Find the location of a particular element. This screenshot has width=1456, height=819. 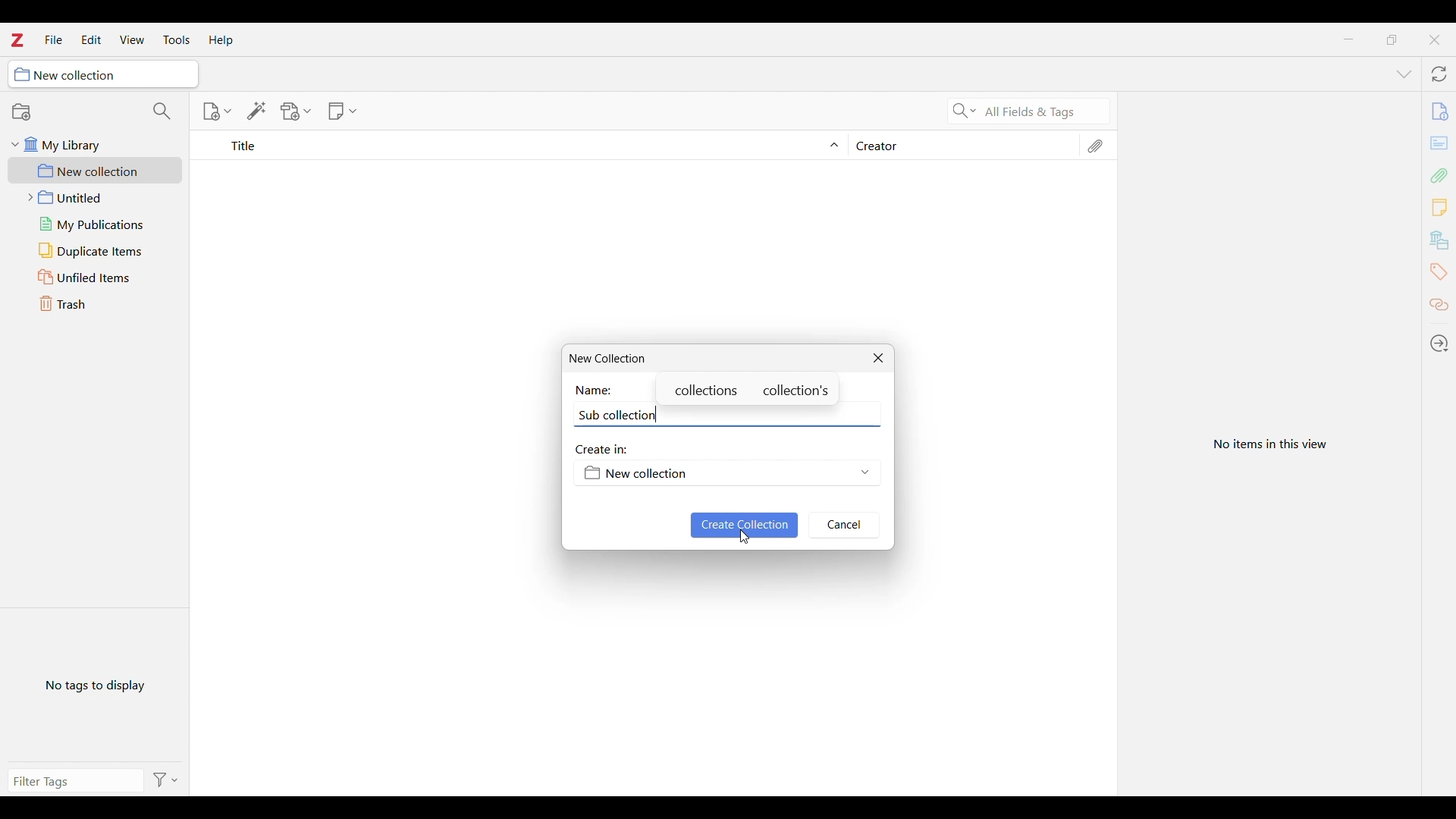

Untitled folder is located at coordinates (96, 197).